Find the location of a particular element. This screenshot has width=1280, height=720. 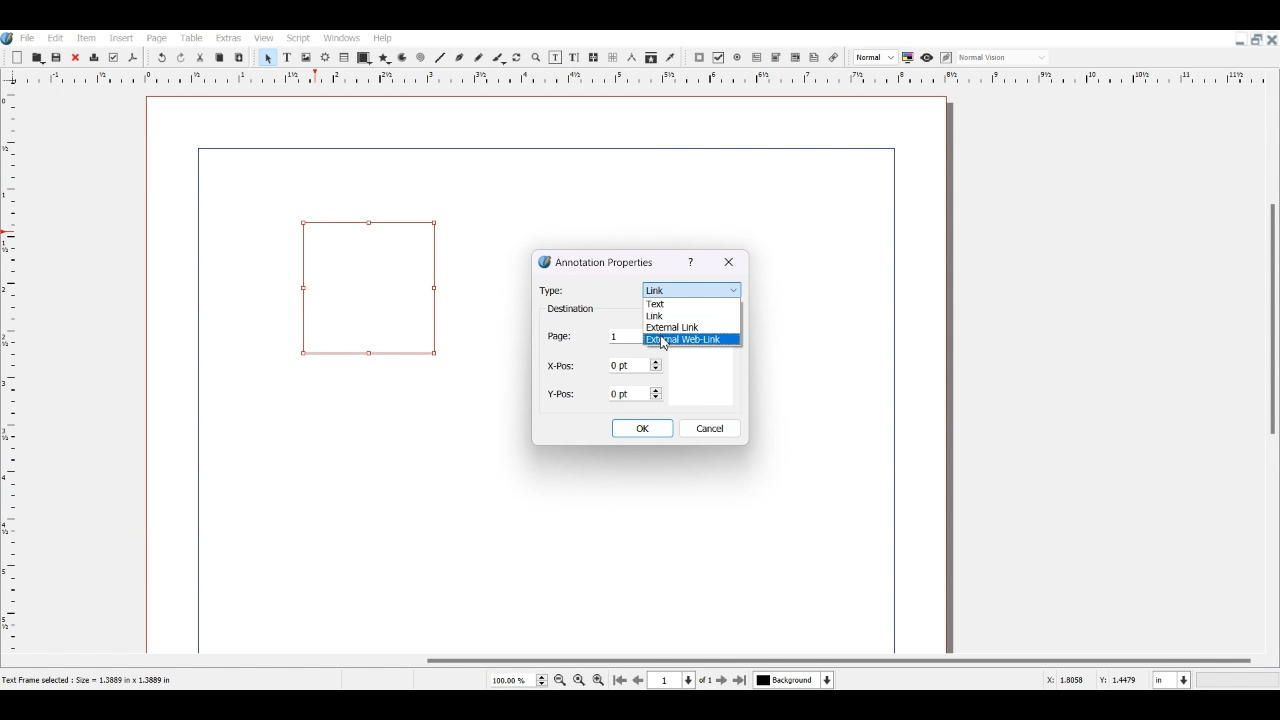

Bezier curve is located at coordinates (459, 57).